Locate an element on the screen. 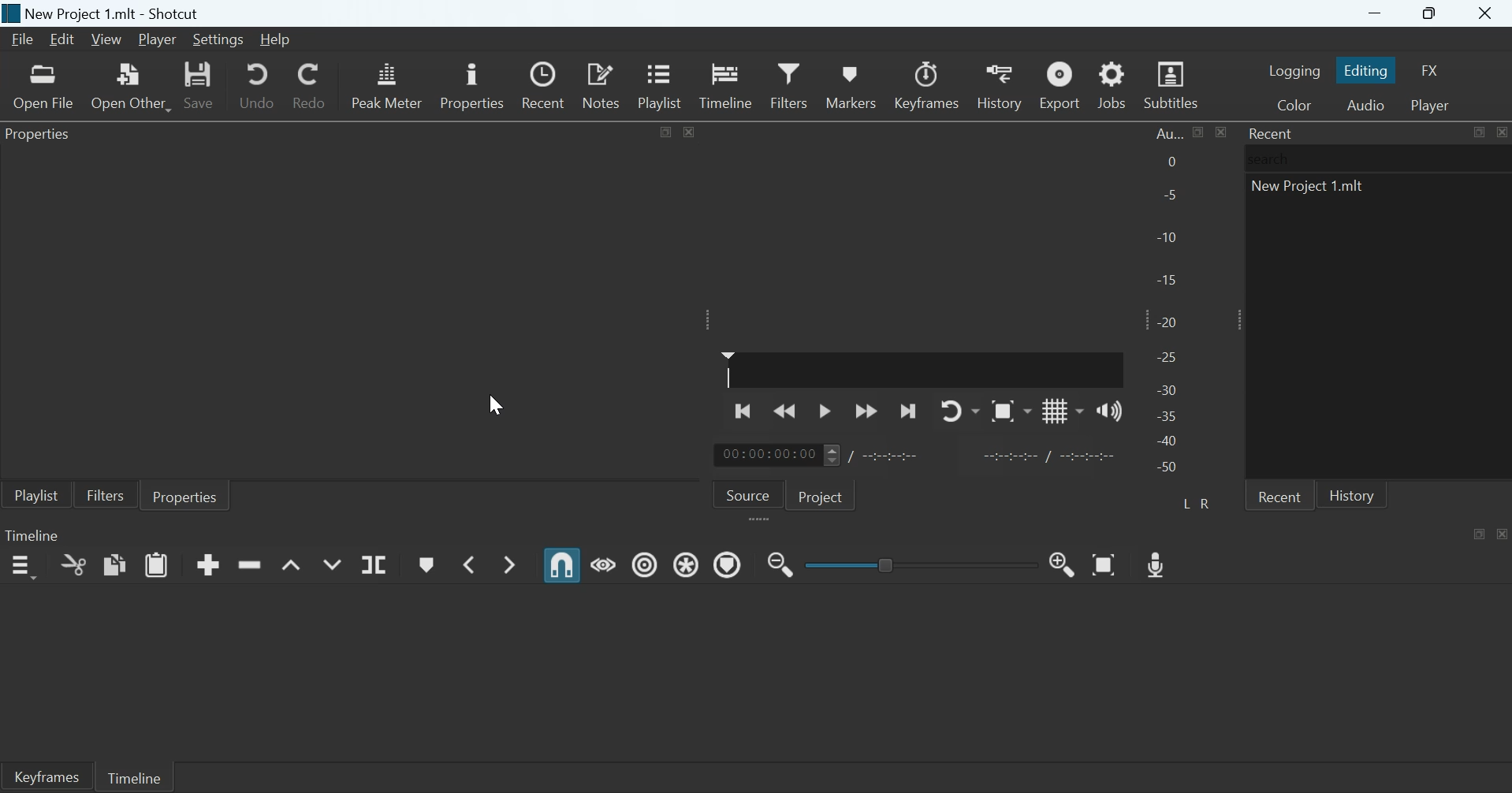 This screenshot has width=1512, height=793. Jobs is located at coordinates (1112, 84).